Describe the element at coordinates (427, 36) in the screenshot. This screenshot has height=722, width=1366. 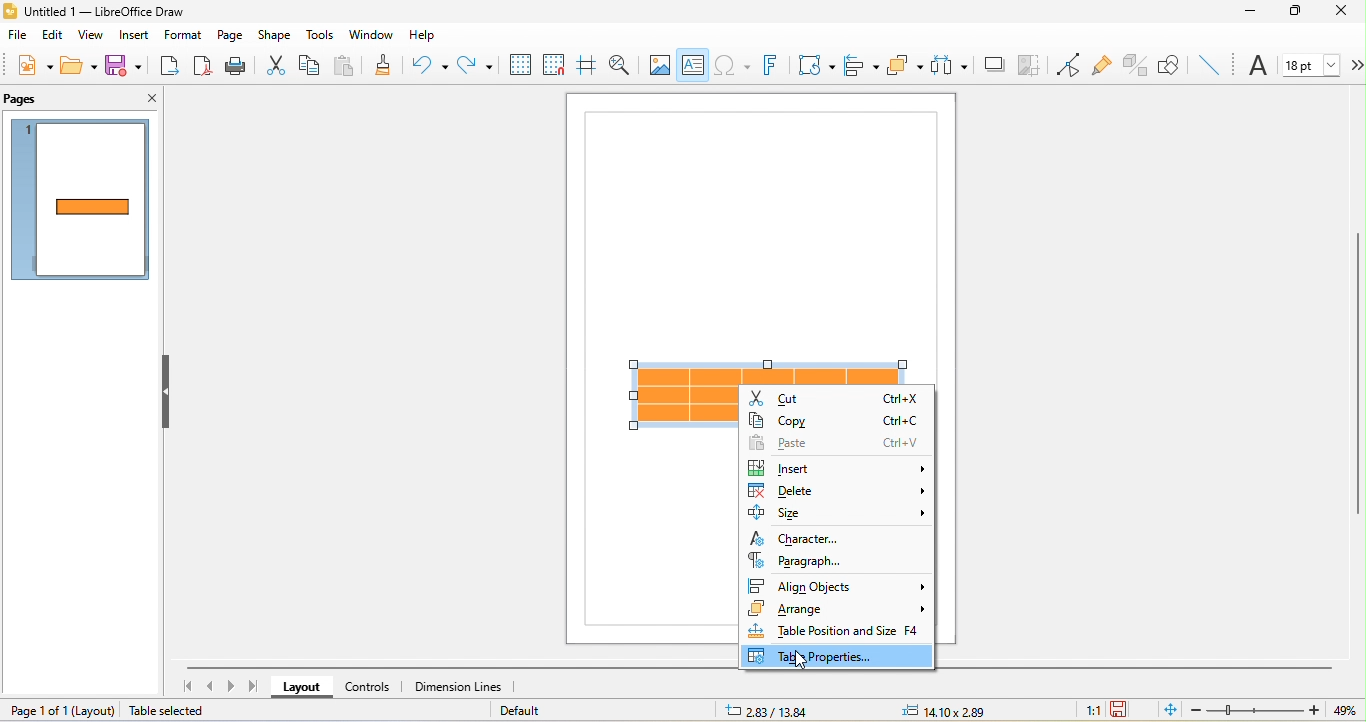
I see `help` at that location.